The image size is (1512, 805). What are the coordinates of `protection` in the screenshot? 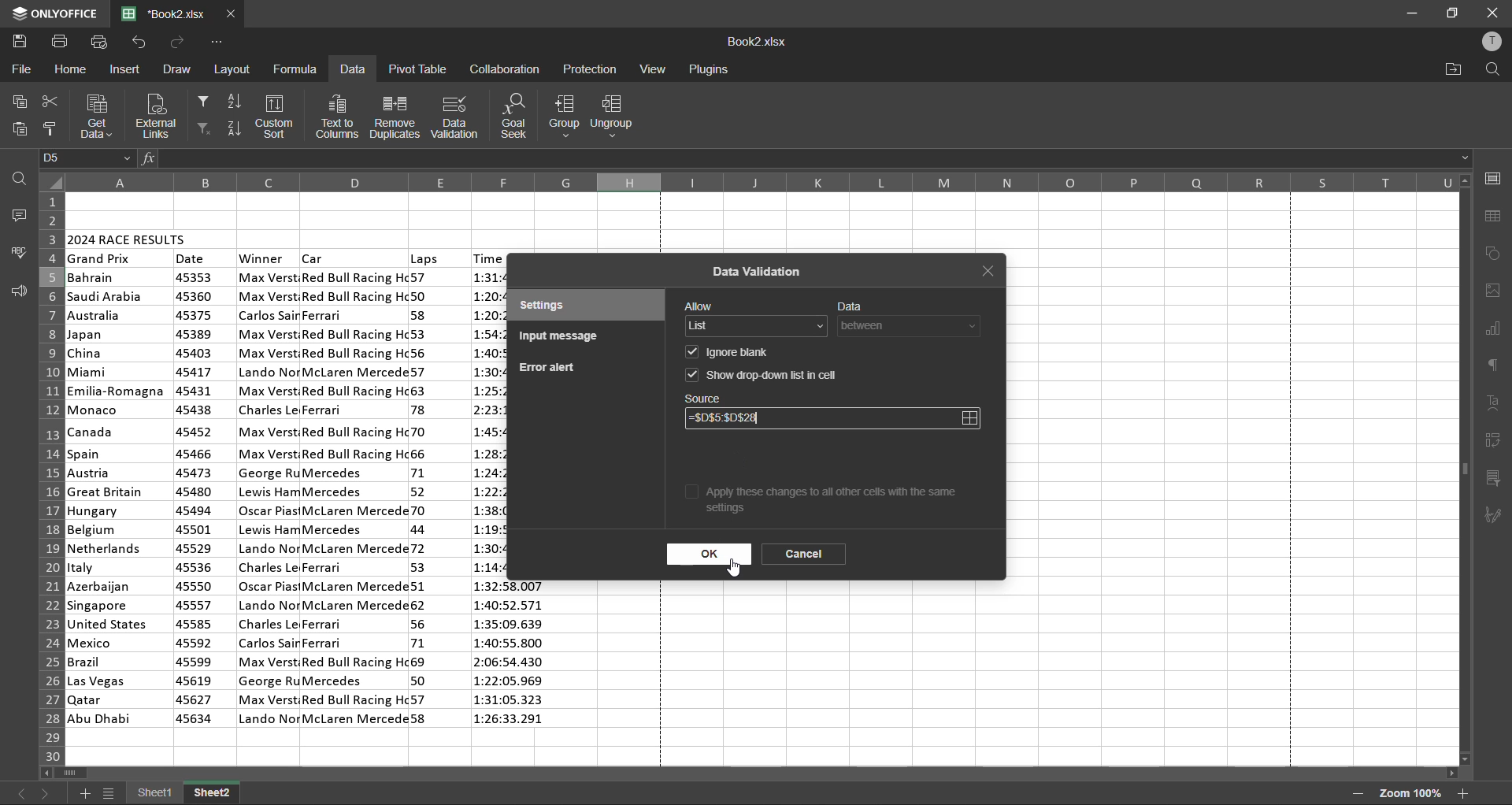 It's located at (591, 70).